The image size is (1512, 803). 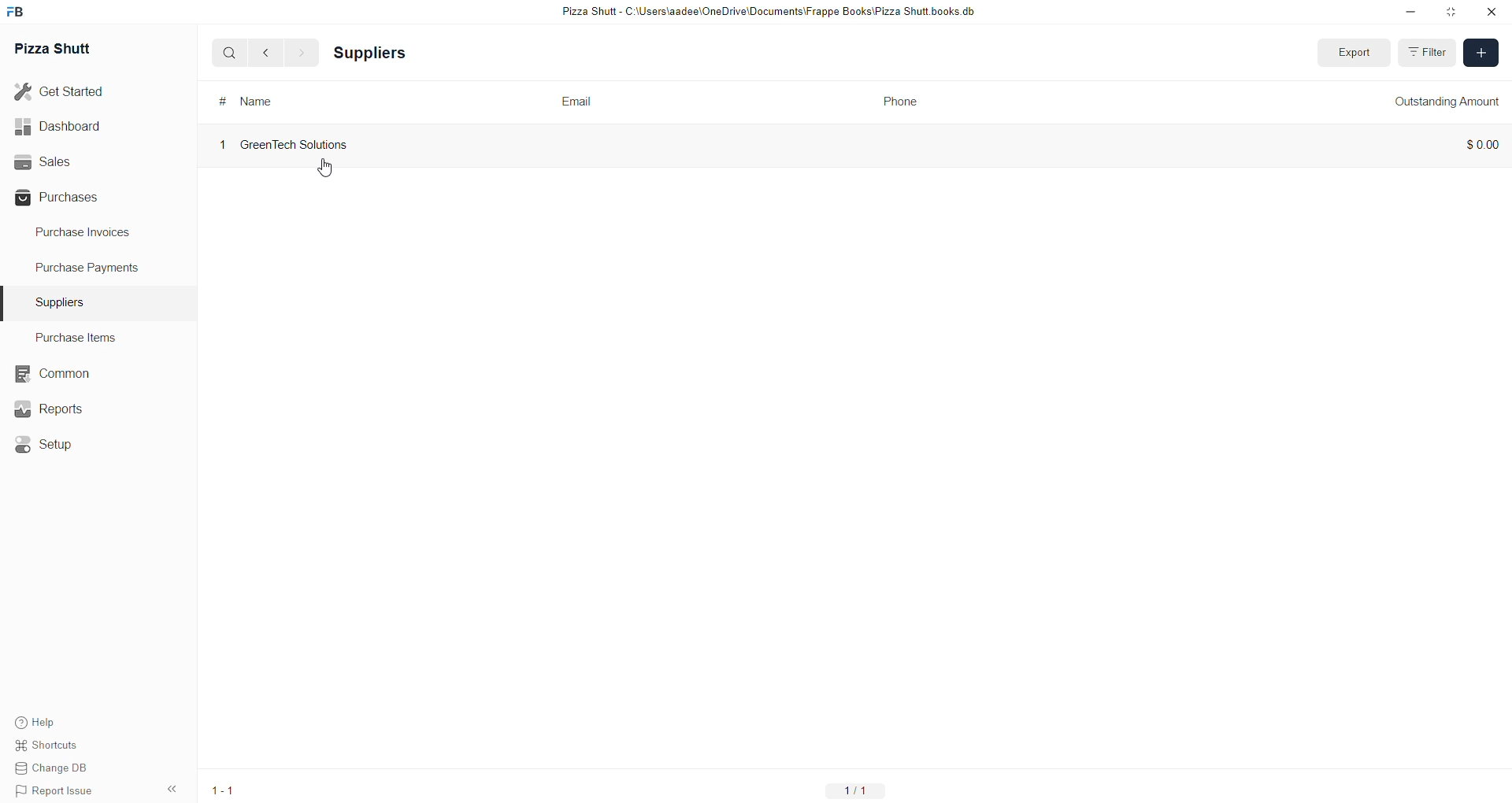 What do you see at coordinates (1447, 101) in the screenshot?
I see `Outstanding Amount` at bounding box center [1447, 101].